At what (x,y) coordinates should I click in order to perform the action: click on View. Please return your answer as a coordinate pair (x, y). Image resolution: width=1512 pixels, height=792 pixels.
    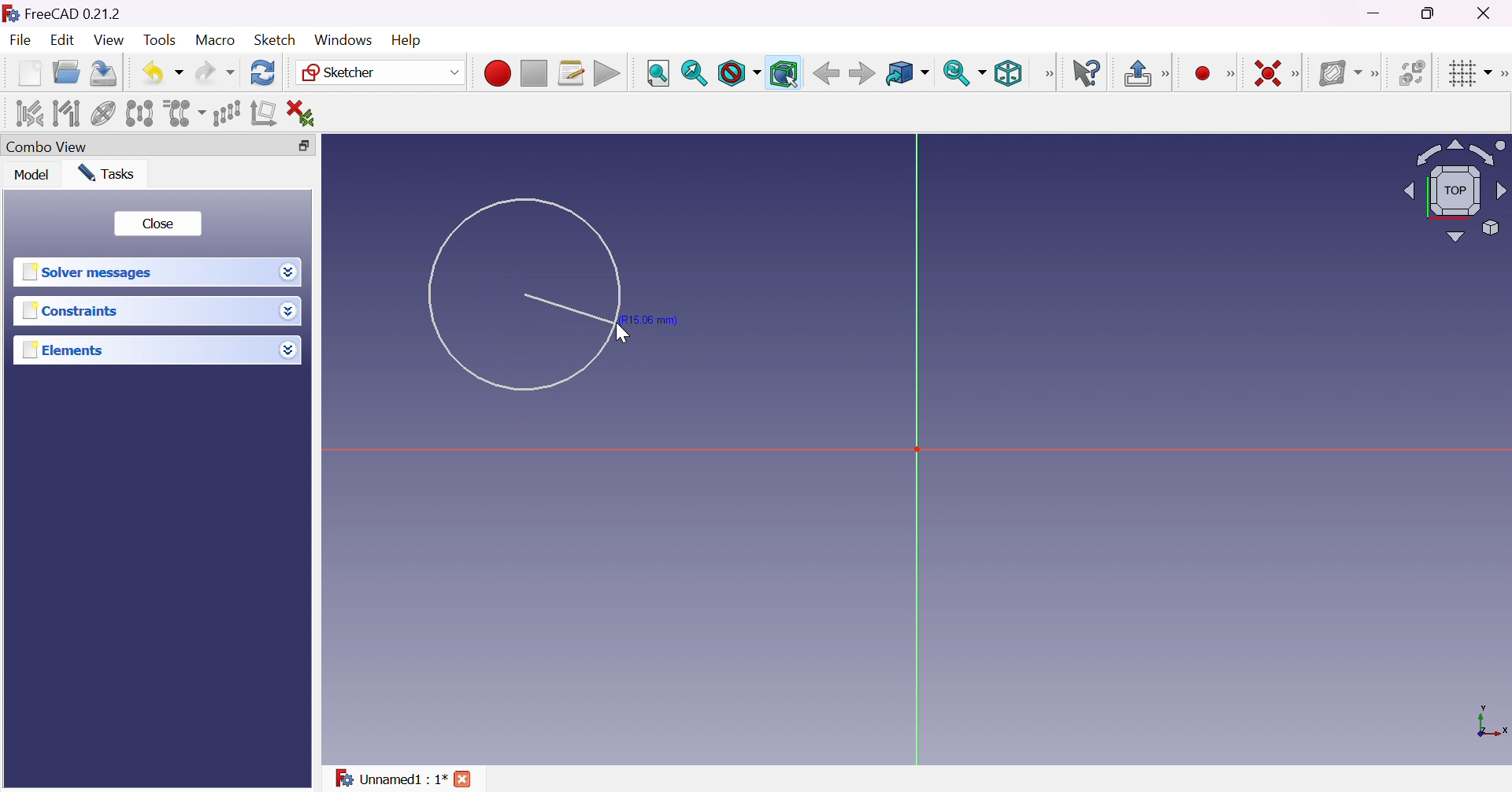
    Looking at the image, I should click on (1050, 73).